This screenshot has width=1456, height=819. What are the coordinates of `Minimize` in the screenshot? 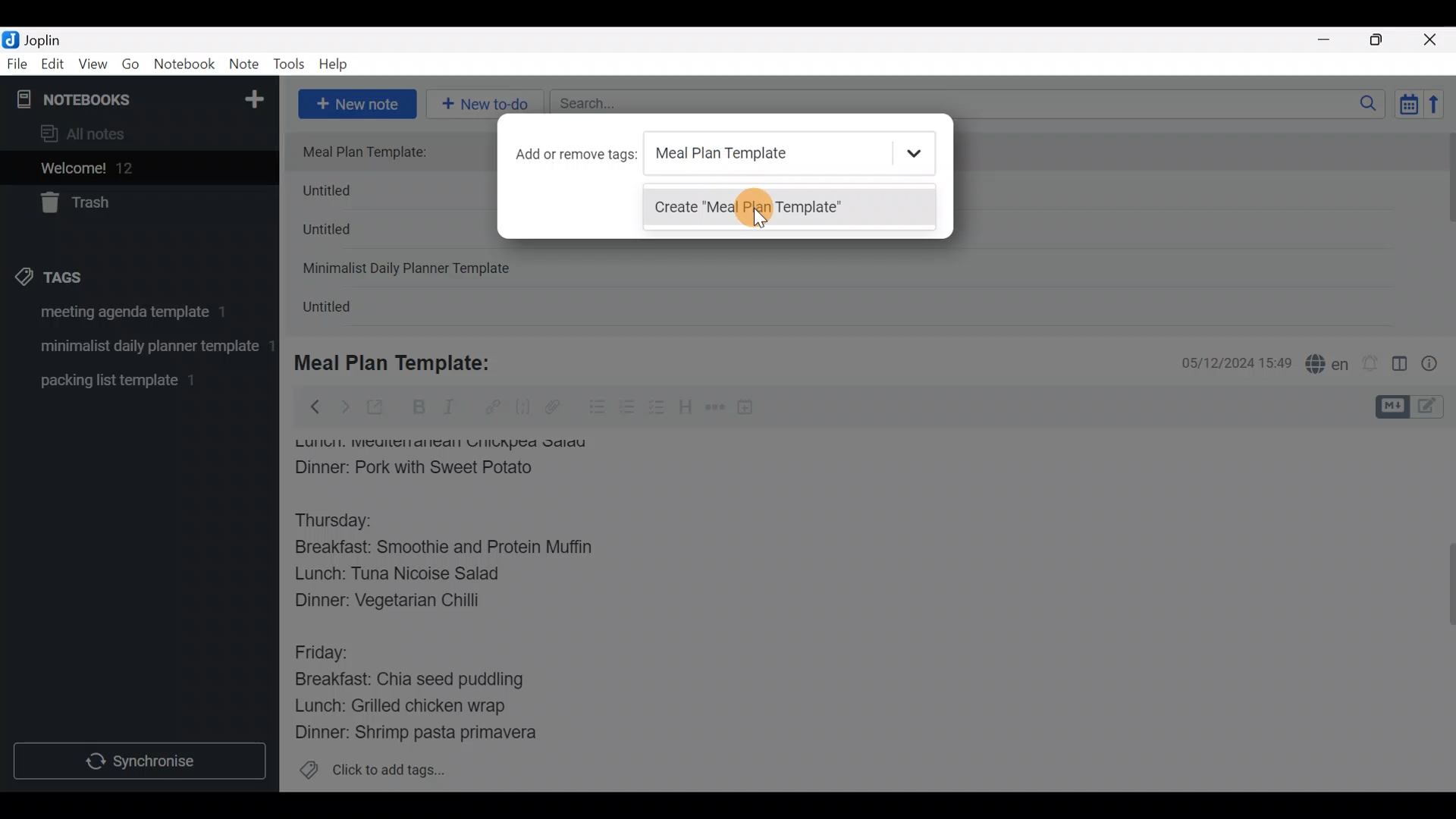 It's located at (1332, 38).